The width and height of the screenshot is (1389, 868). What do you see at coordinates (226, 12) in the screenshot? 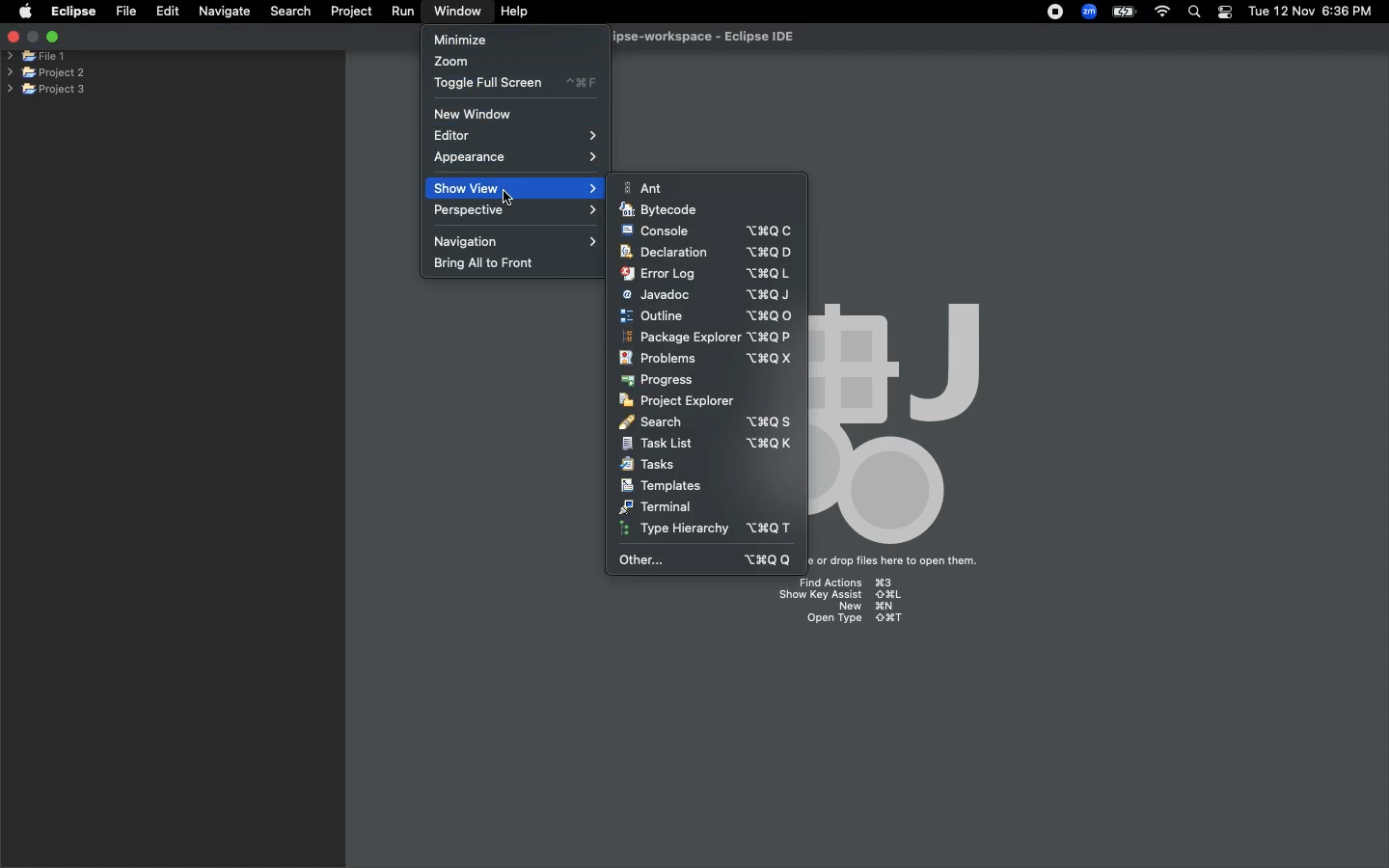
I see `Navigate` at bounding box center [226, 12].